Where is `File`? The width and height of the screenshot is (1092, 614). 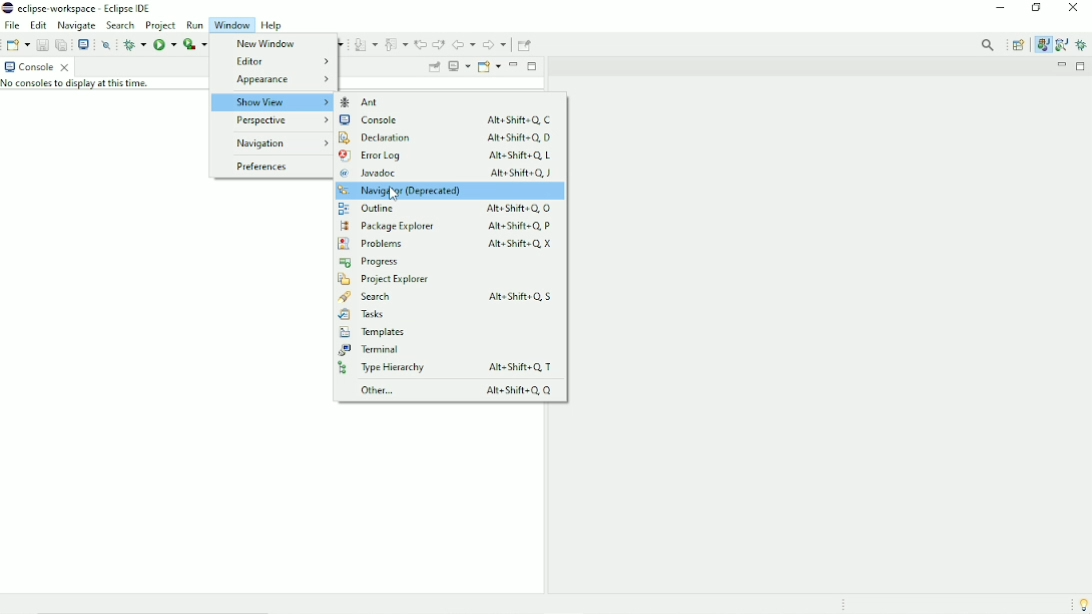
File is located at coordinates (12, 25).